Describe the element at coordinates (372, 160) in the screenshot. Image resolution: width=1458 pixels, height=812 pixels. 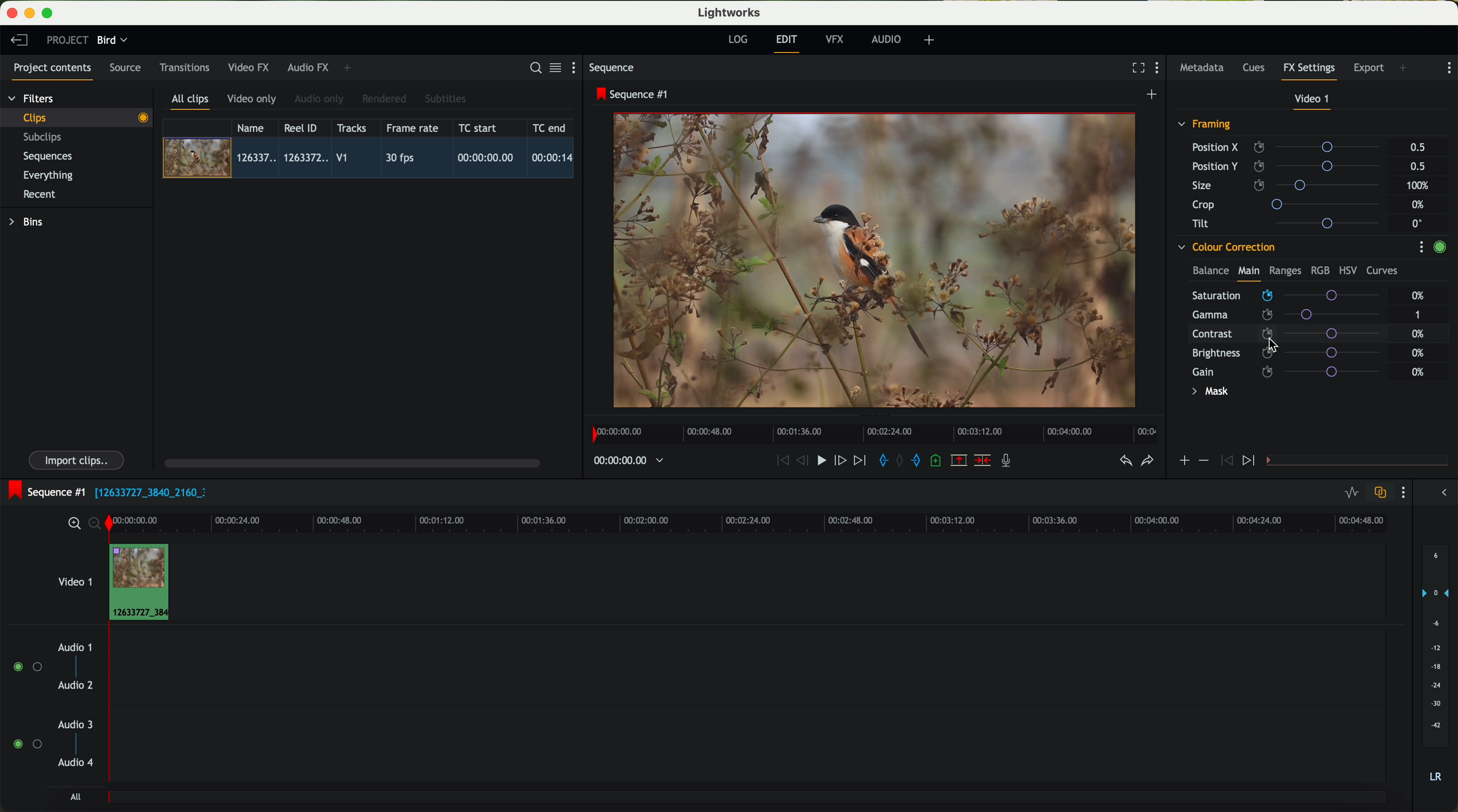
I see `click on video` at that location.